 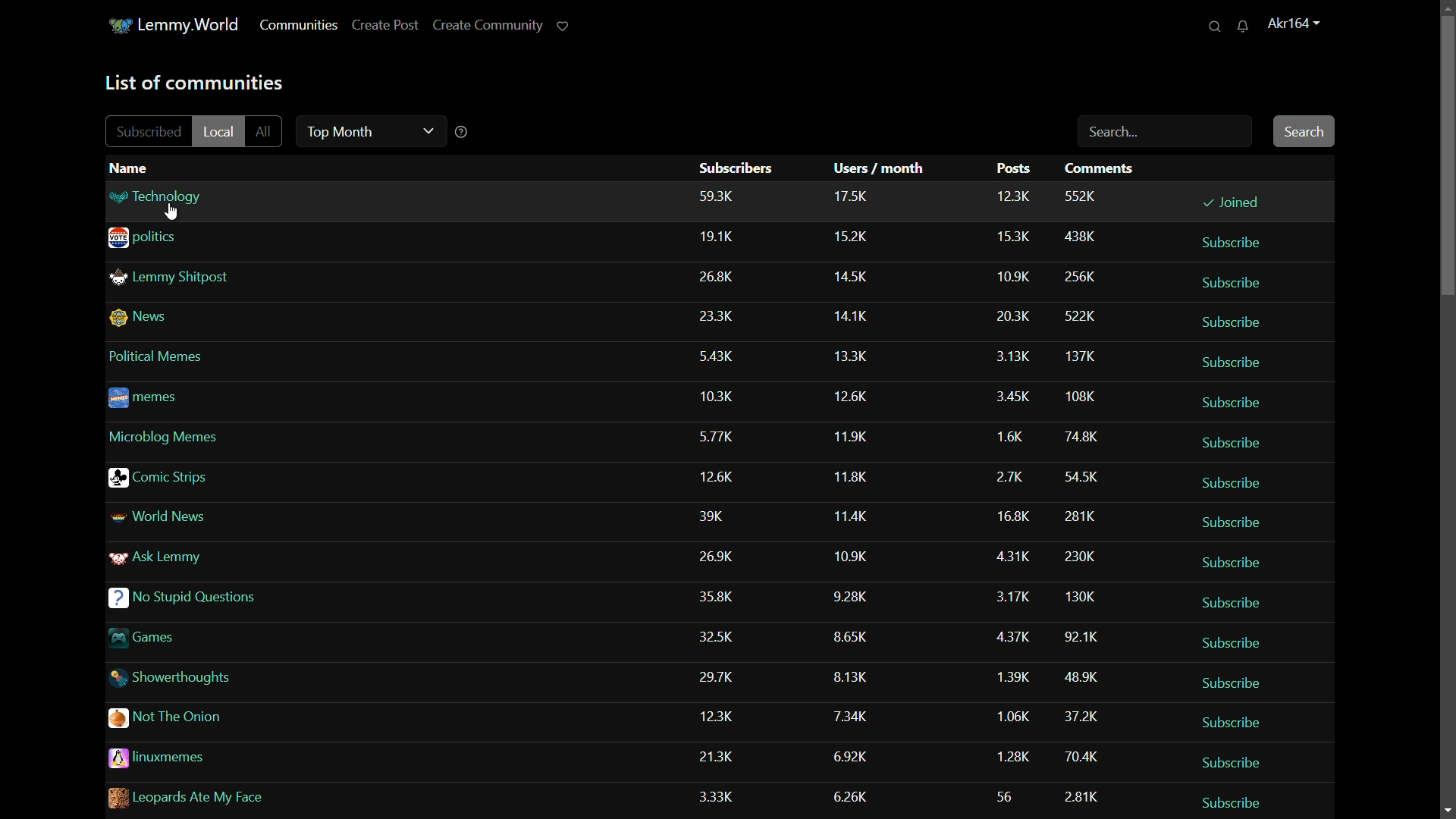 I want to click on communities name, so click(x=166, y=353).